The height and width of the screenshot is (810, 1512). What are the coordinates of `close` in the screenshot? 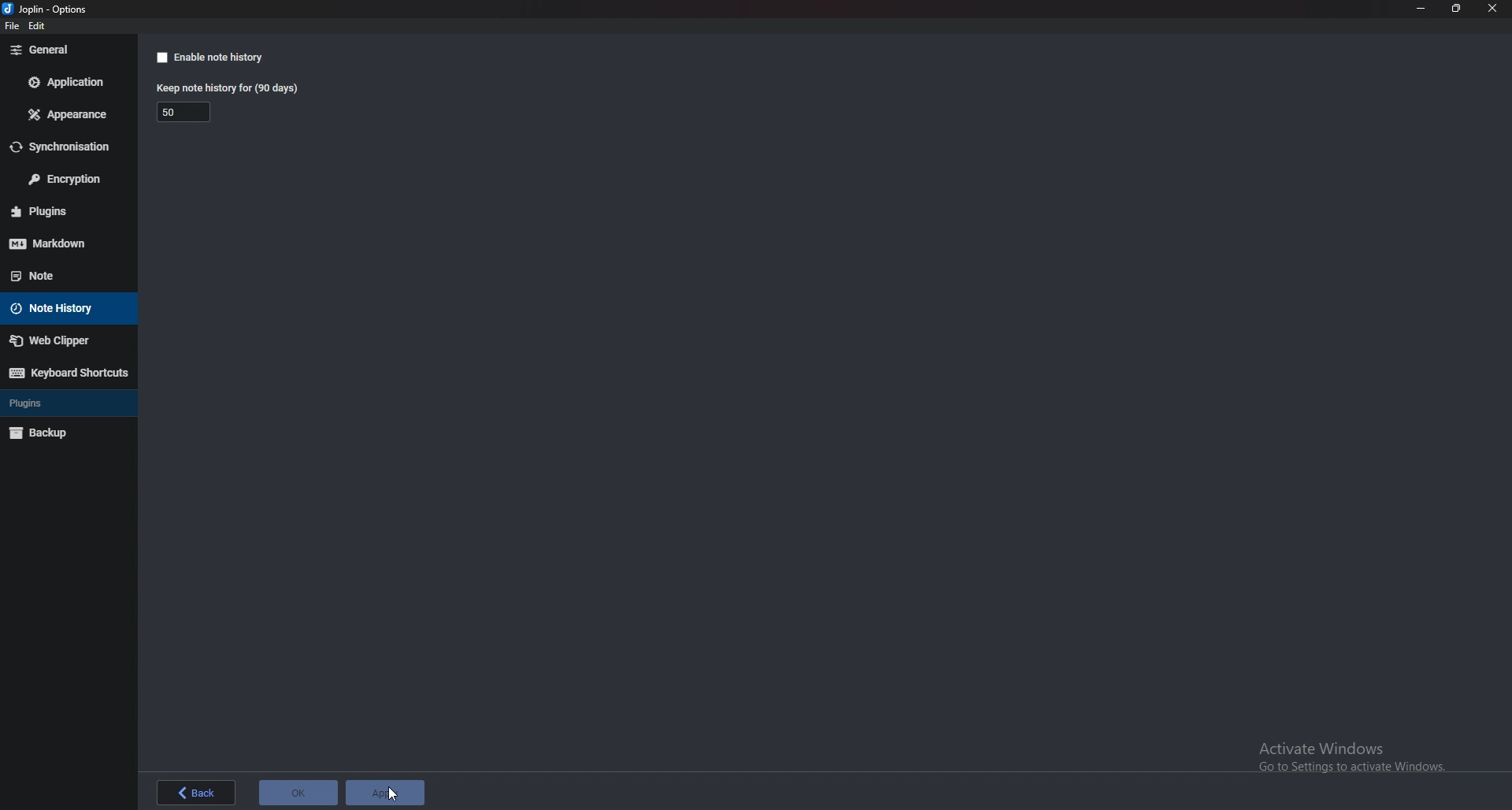 It's located at (1495, 9).